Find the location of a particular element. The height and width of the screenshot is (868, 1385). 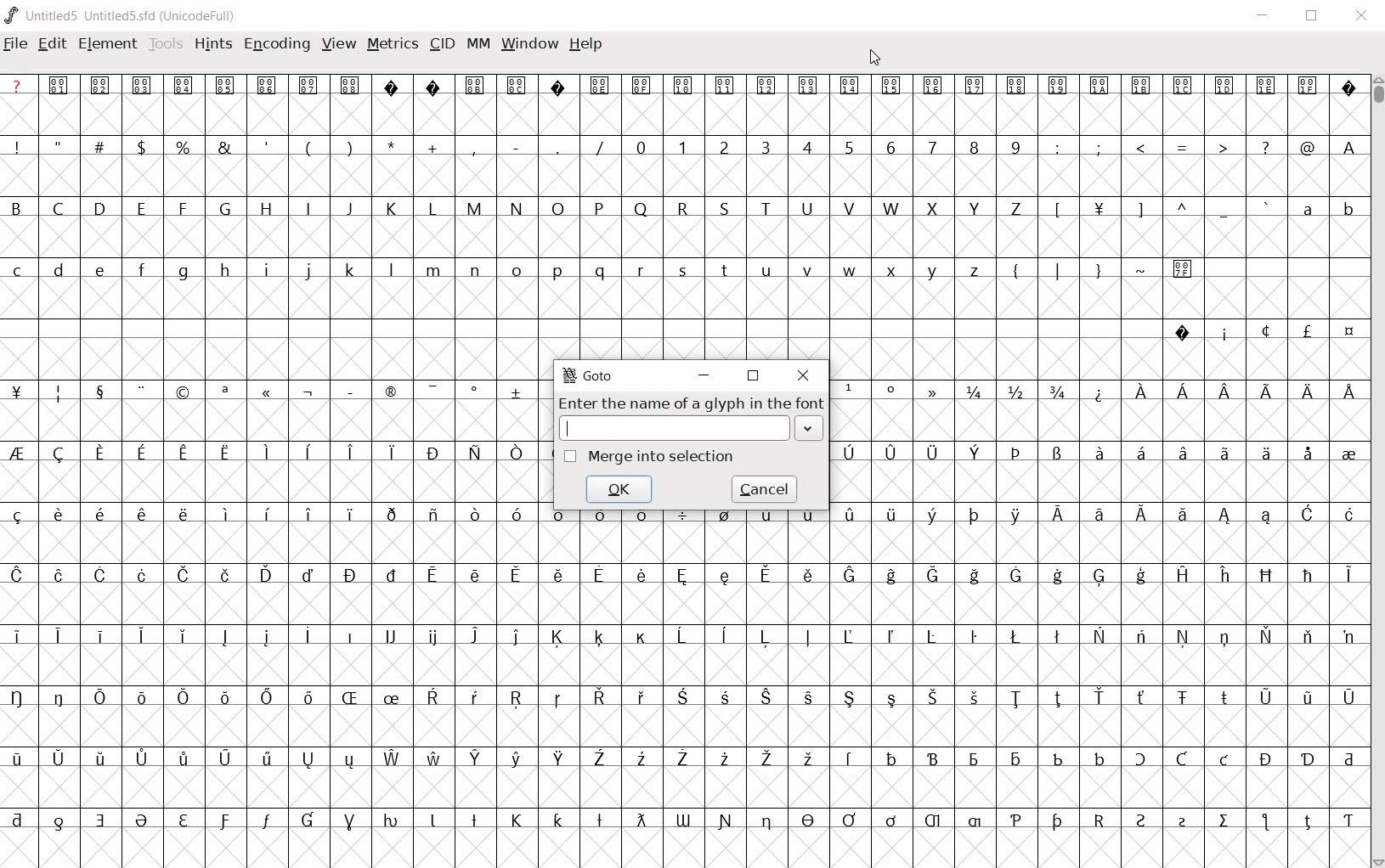

Symbol is located at coordinates (1266, 575).